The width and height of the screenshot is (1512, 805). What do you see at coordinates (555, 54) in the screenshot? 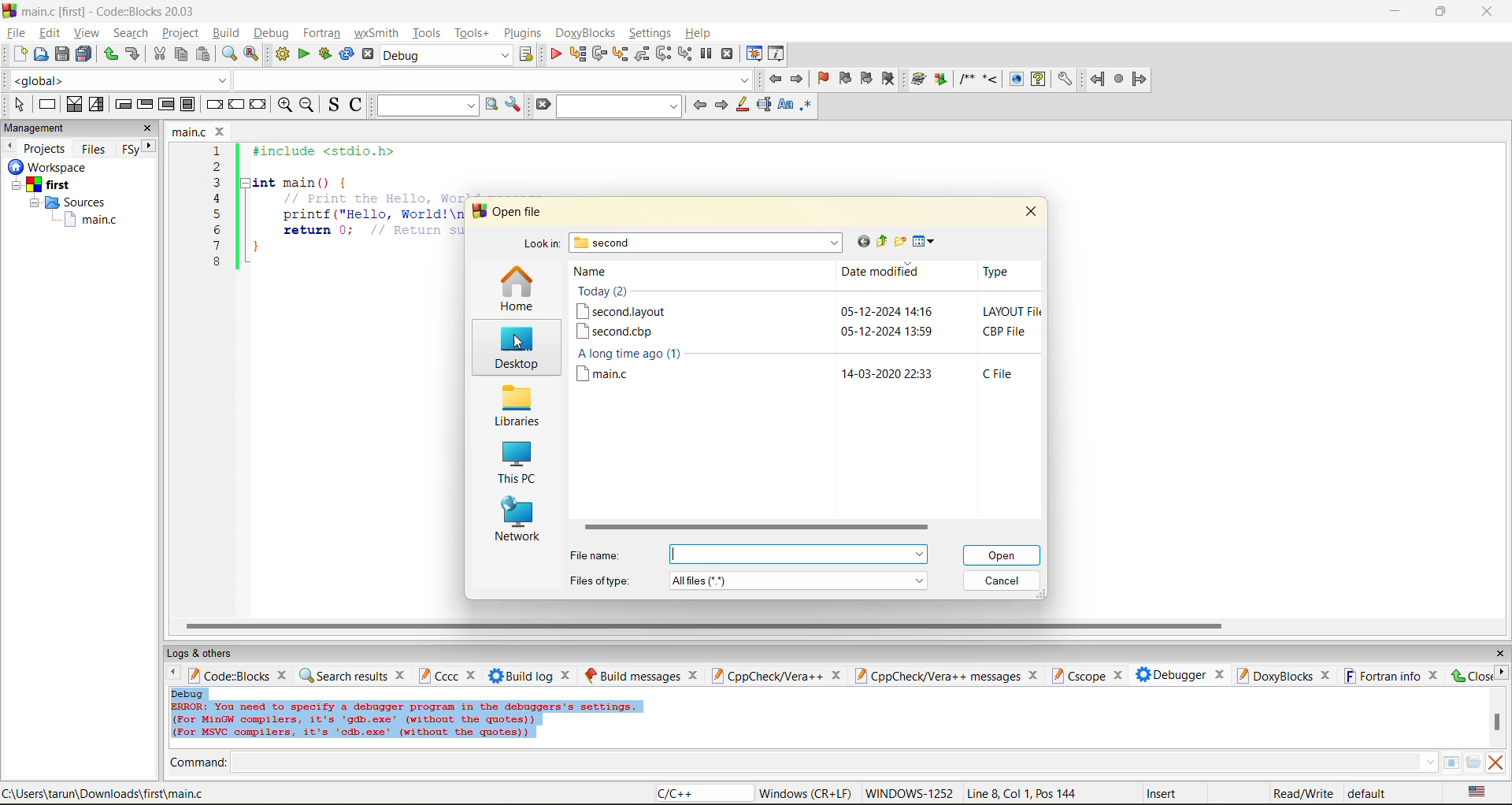
I see `debug/continue` at bounding box center [555, 54].